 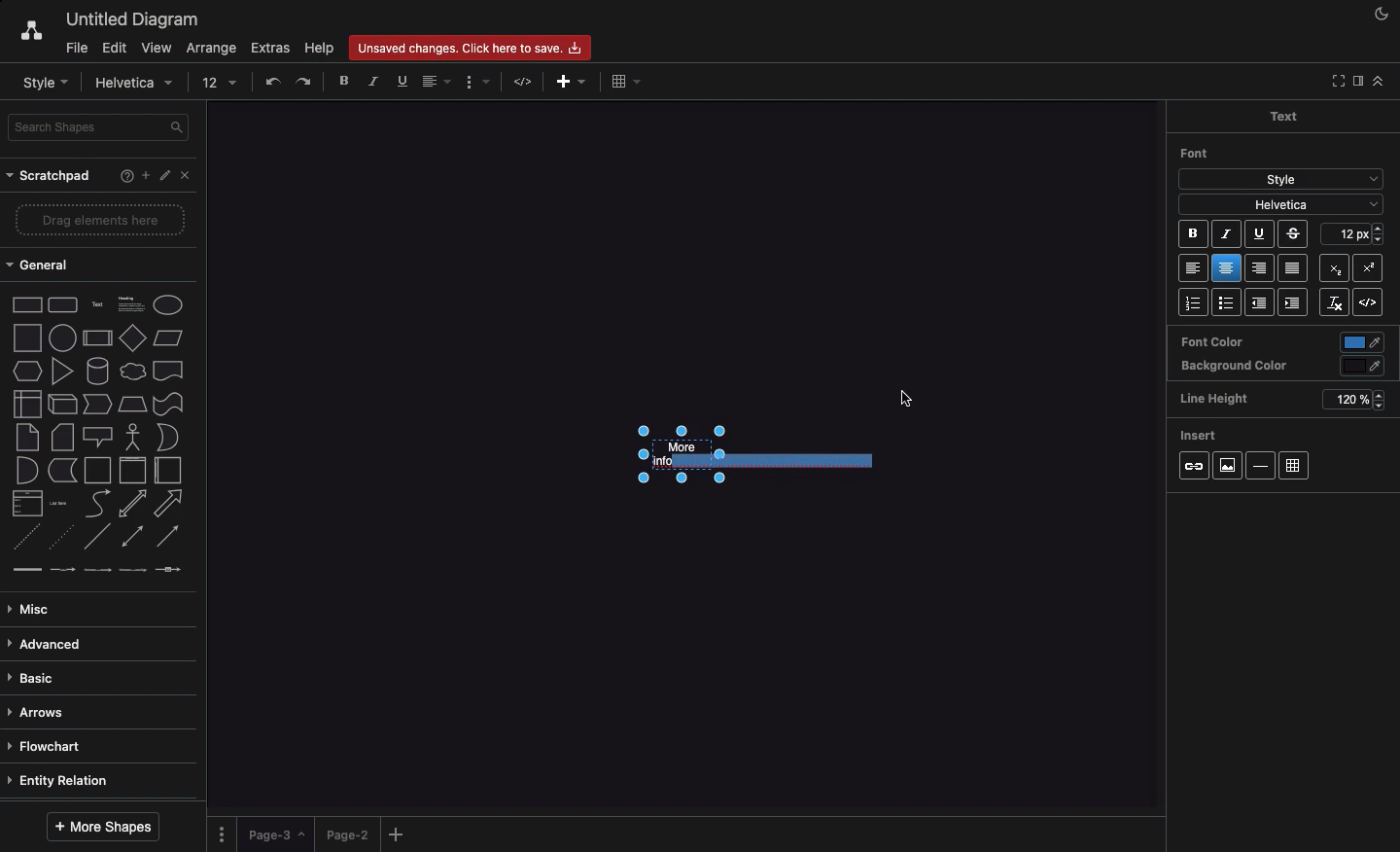 What do you see at coordinates (40, 714) in the screenshot?
I see `Arrows` at bounding box center [40, 714].